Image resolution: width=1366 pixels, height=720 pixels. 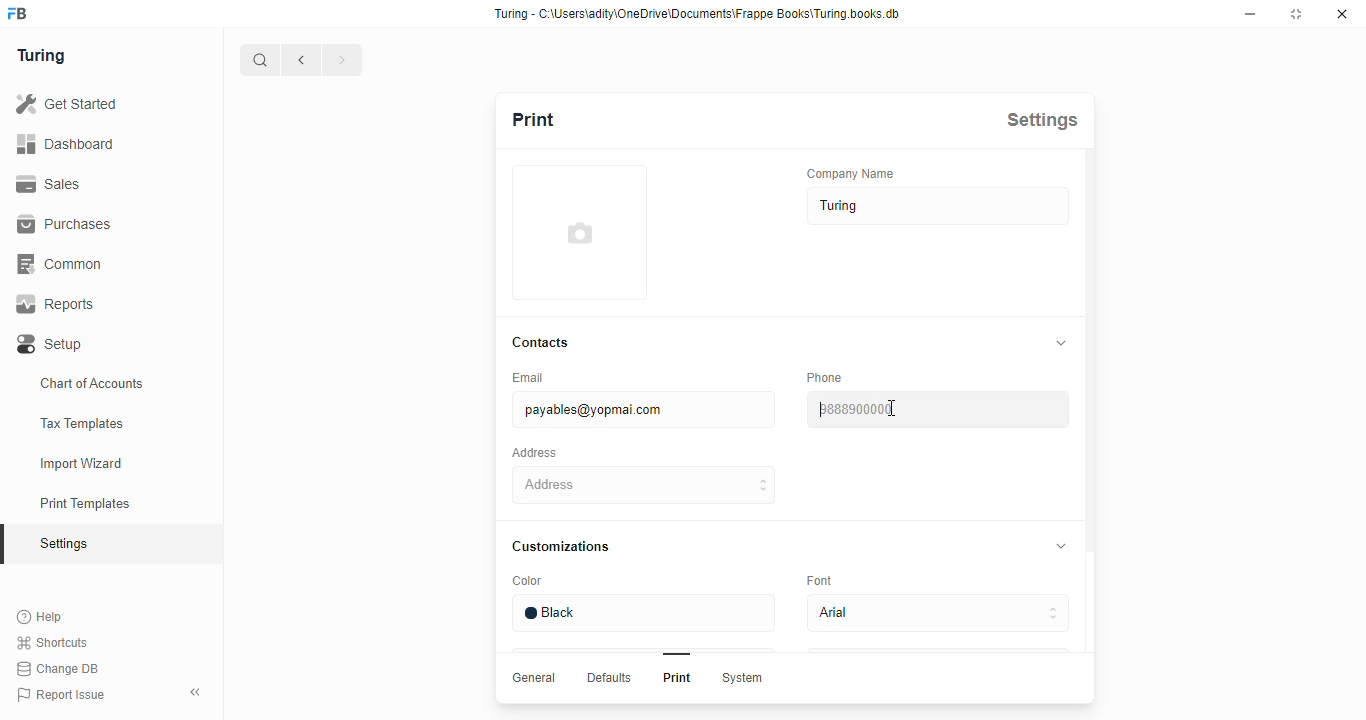 What do you see at coordinates (99, 223) in the screenshot?
I see `Purchases` at bounding box center [99, 223].